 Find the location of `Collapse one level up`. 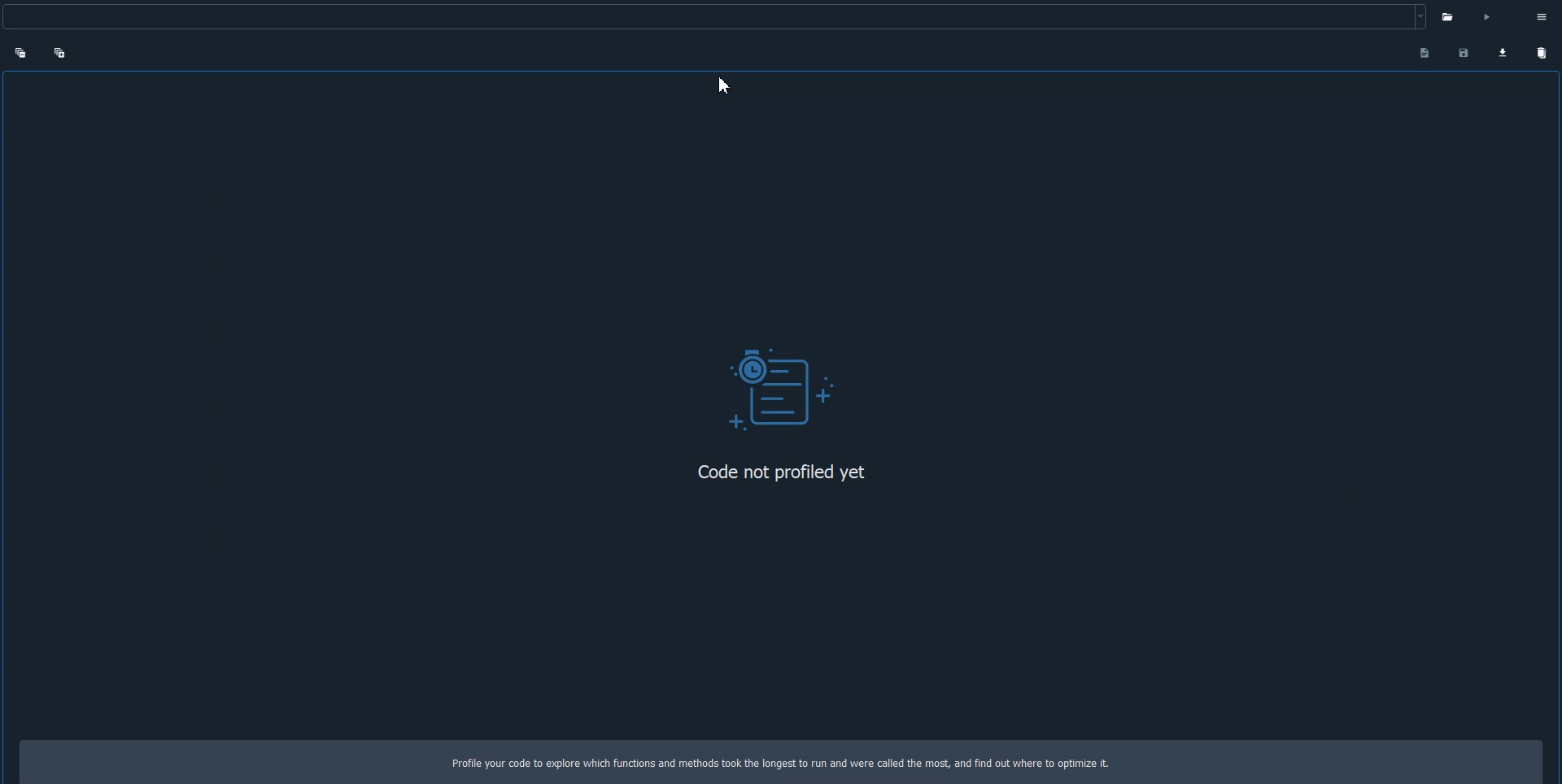

Collapse one level up is located at coordinates (21, 53).